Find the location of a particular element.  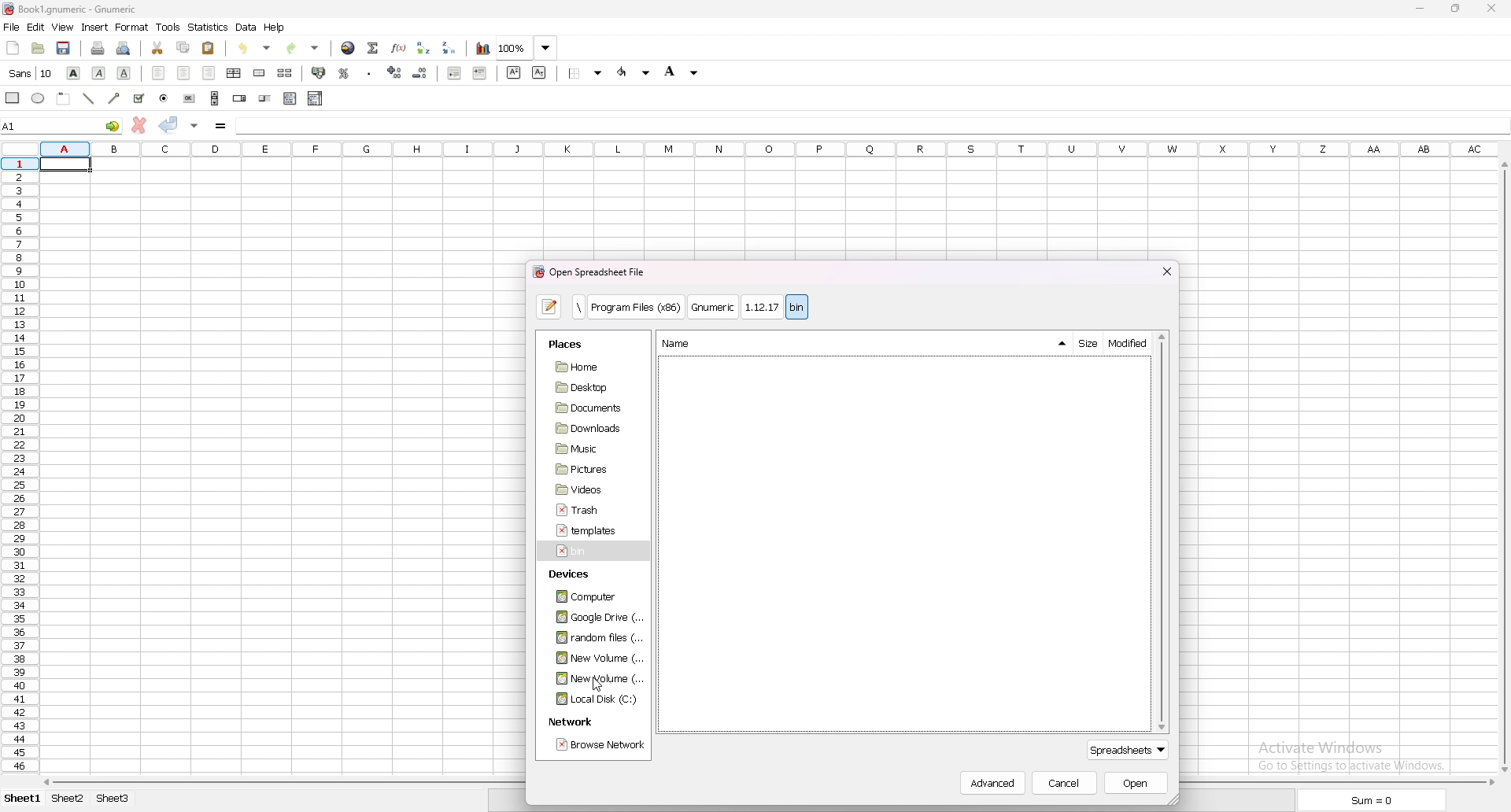

rectangle is located at coordinates (13, 98).